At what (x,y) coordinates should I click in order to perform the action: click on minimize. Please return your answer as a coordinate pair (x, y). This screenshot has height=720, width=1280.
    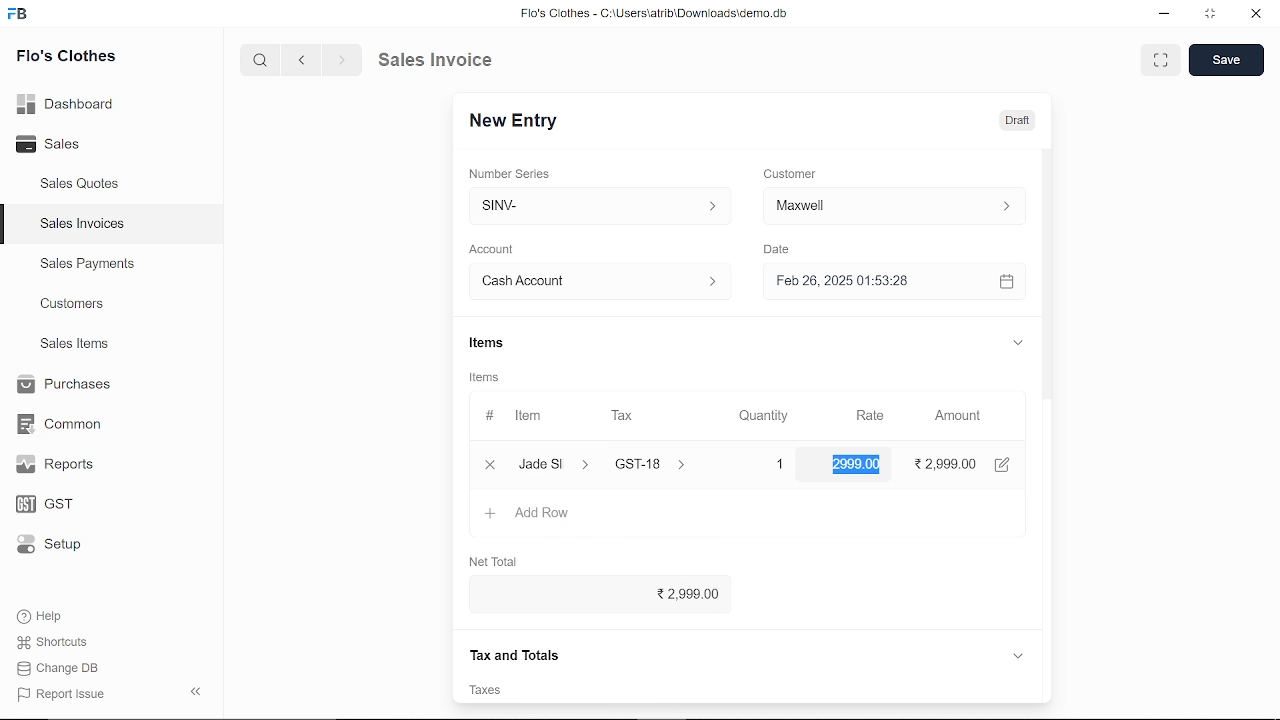
    Looking at the image, I should click on (1166, 16).